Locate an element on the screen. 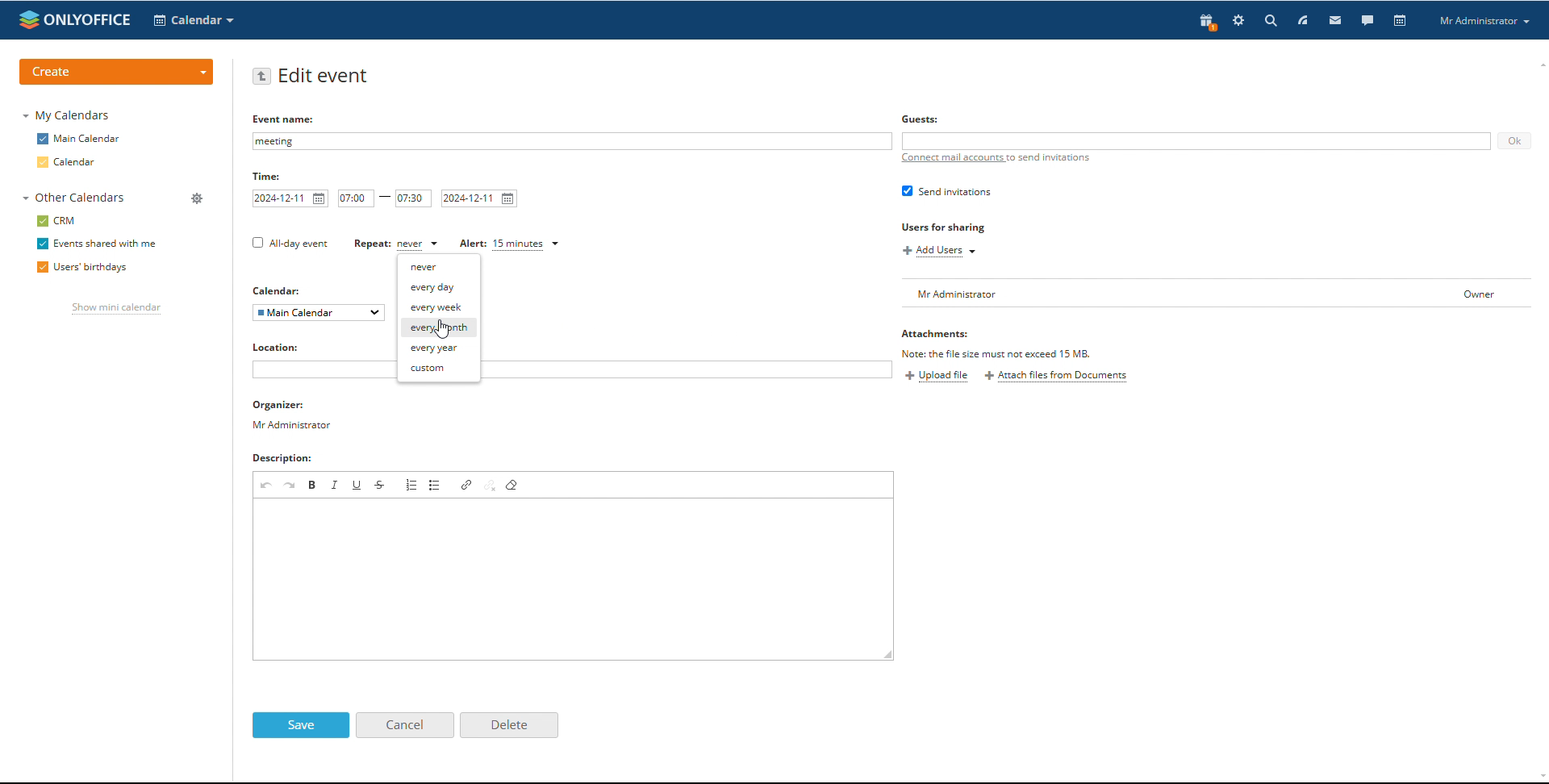 Image resolution: width=1549 pixels, height=784 pixels. select application is located at coordinates (194, 21).